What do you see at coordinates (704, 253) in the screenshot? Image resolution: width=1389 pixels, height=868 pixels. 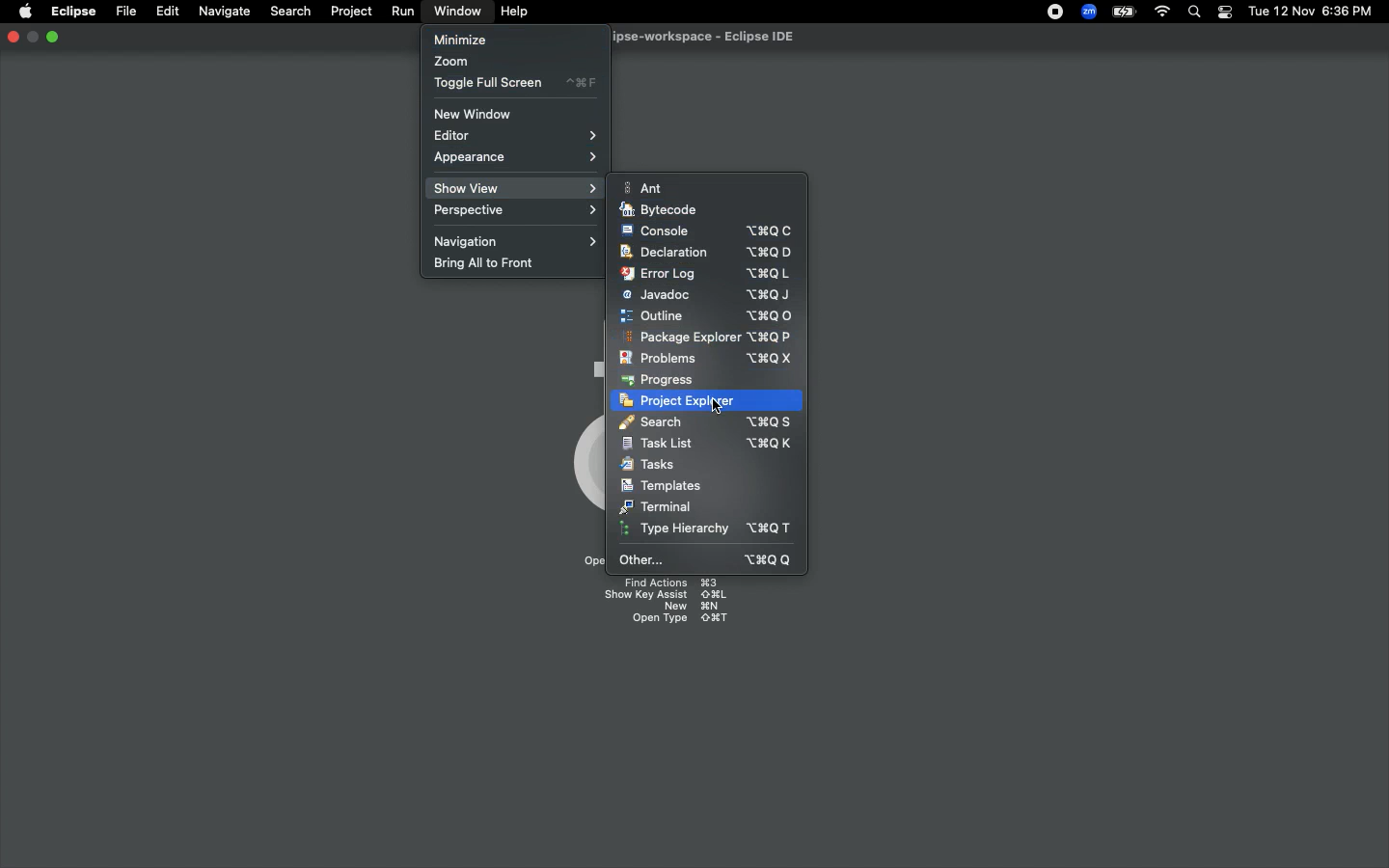 I see `Declaration` at bounding box center [704, 253].